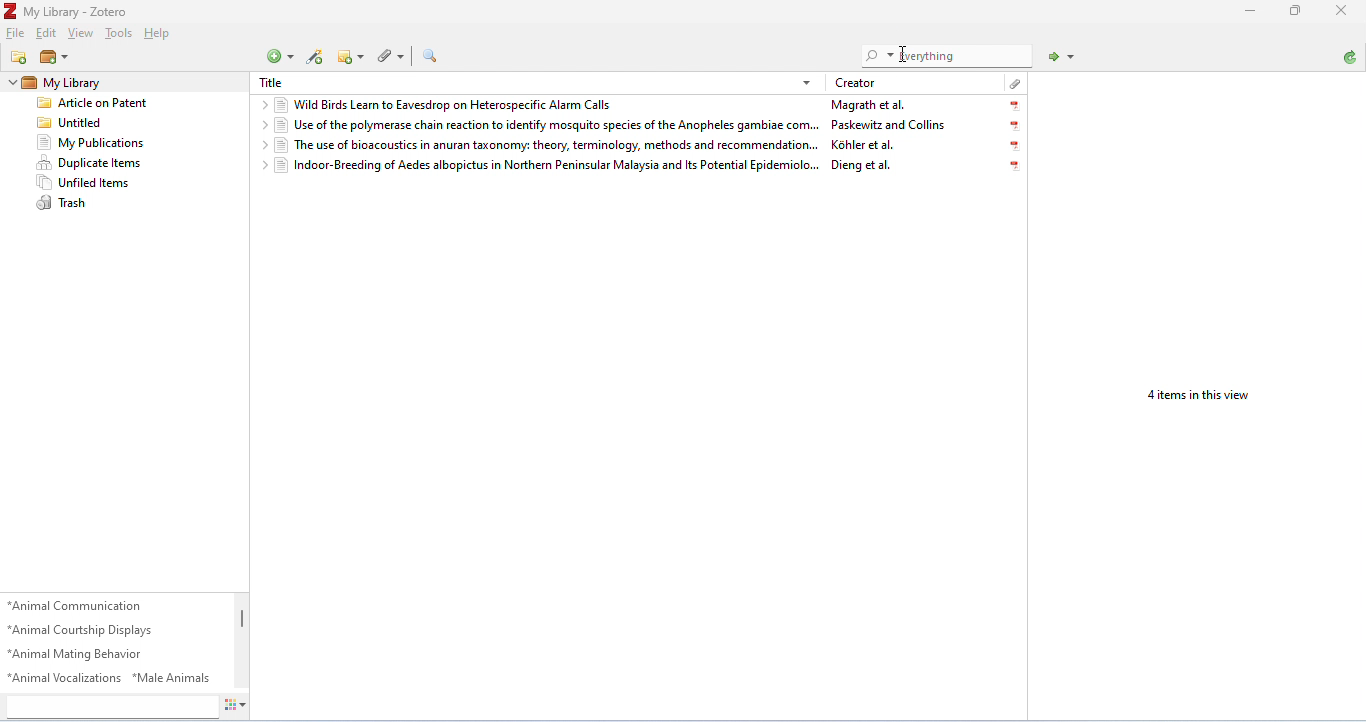 This screenshot has width=1366, height=722. What do you see at coordinates (350, 57) in the screenshot?
I see `New Note` at bounding box center [350, 57].